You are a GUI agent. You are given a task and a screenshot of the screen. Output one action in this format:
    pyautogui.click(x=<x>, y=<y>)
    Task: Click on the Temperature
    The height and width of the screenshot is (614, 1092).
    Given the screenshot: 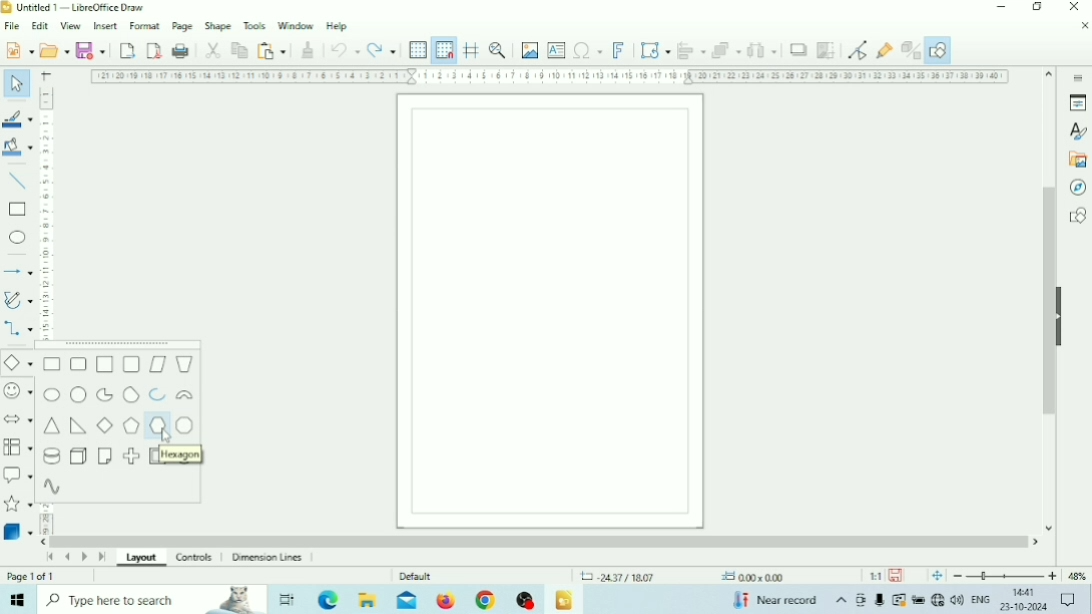 What is the action you would take?
    pyautogui.click(x=774, y=599)
    